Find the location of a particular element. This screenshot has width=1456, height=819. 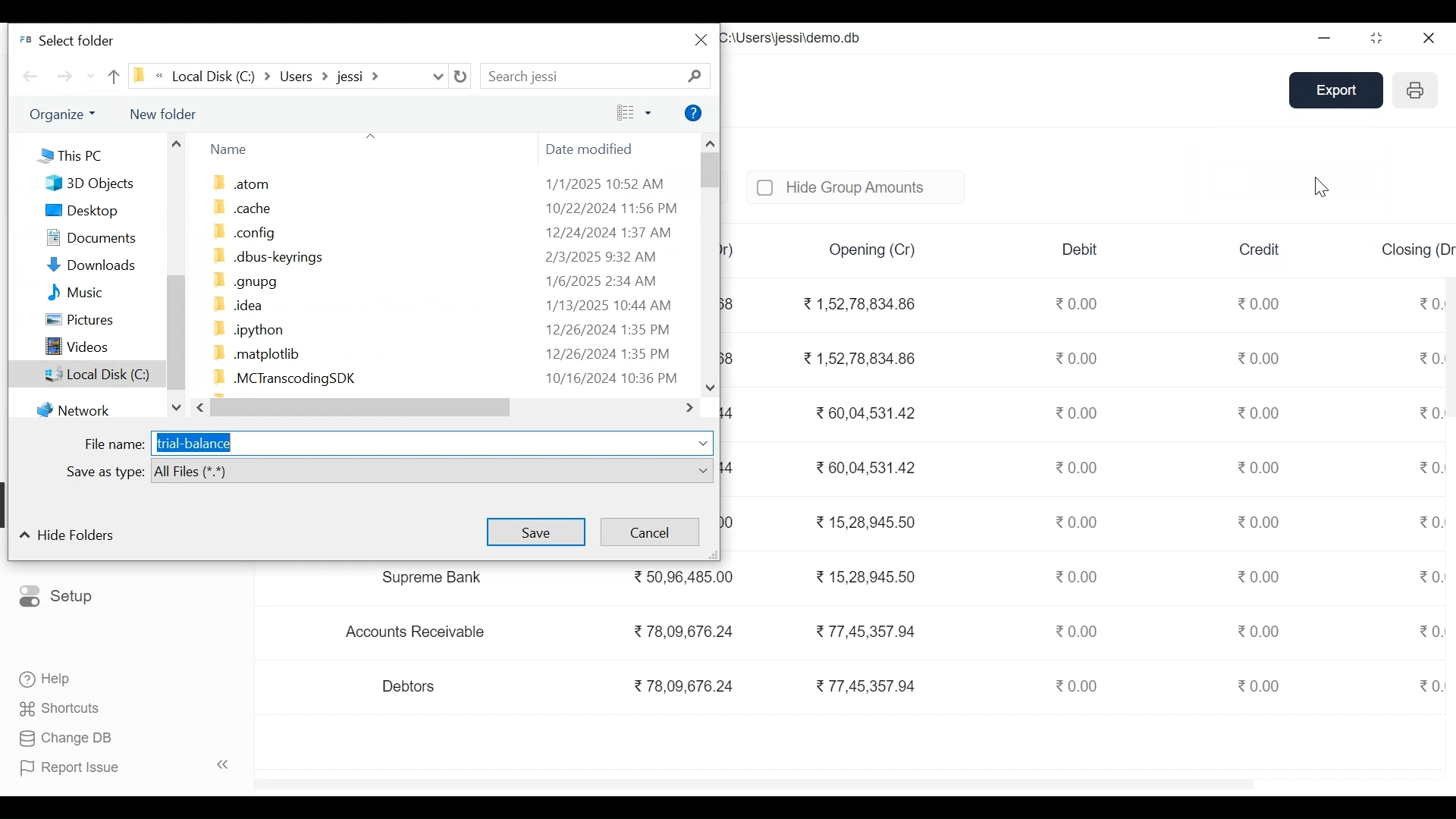

0.00 is located at coordinates (1259, 576).